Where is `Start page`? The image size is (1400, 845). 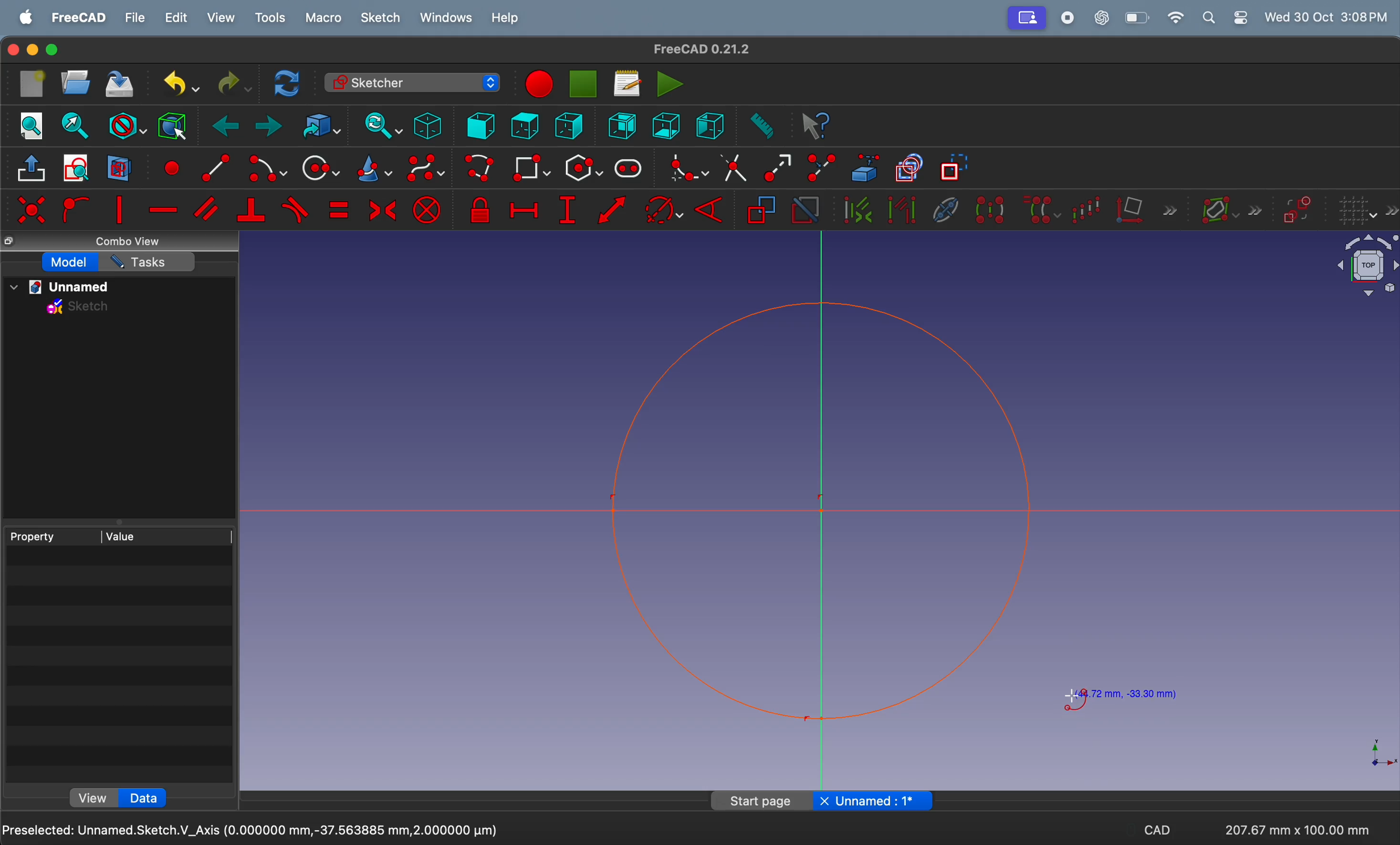
Start page is located at coordinates (763, 800).